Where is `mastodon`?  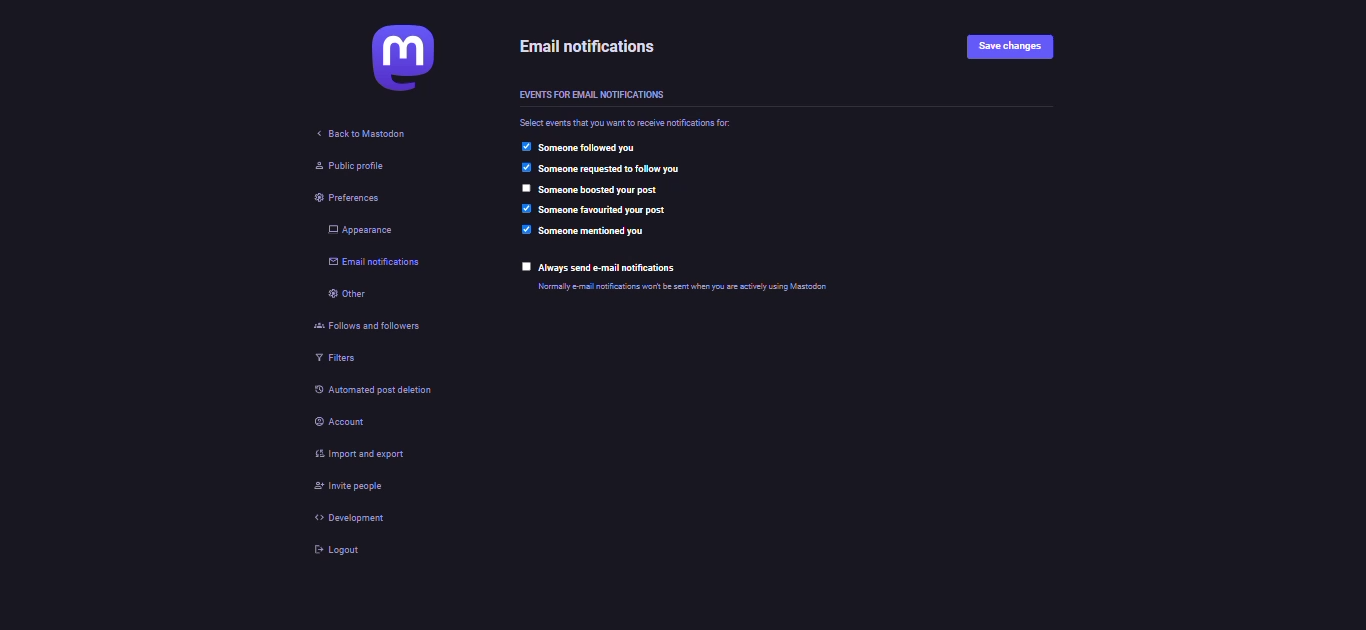 mastodon is located at coordinates (401, 56).